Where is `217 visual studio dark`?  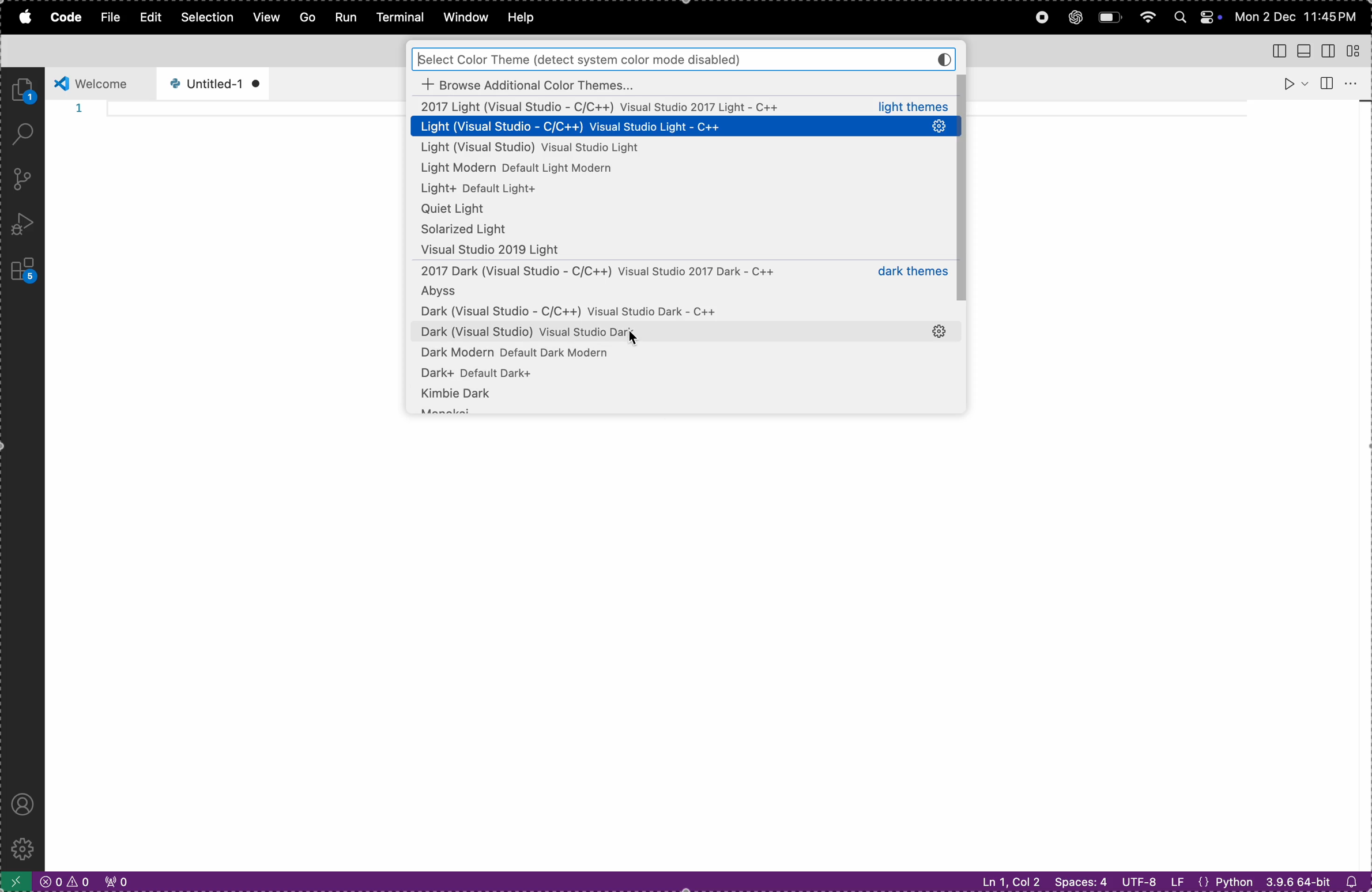
217 visual studio dark is located at coordinates (680, 273).